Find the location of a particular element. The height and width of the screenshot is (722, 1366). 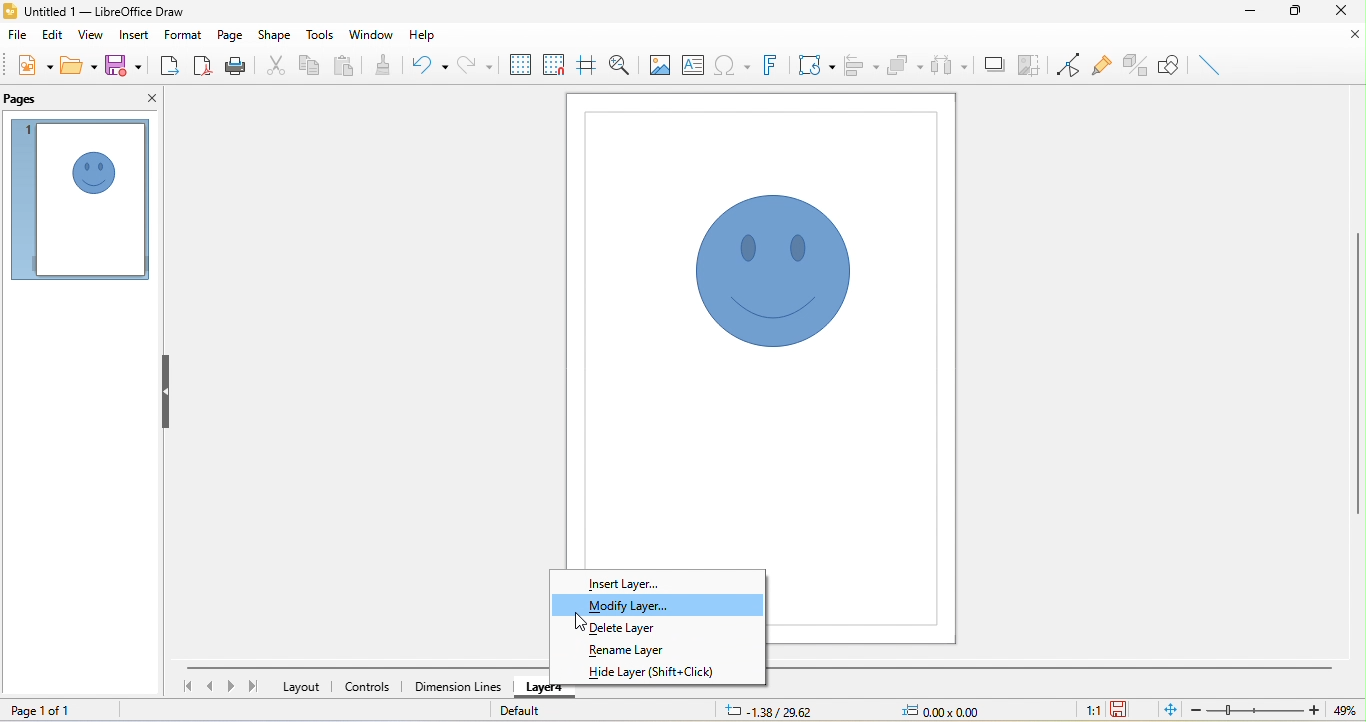

view is located at coordinates (88, 35).